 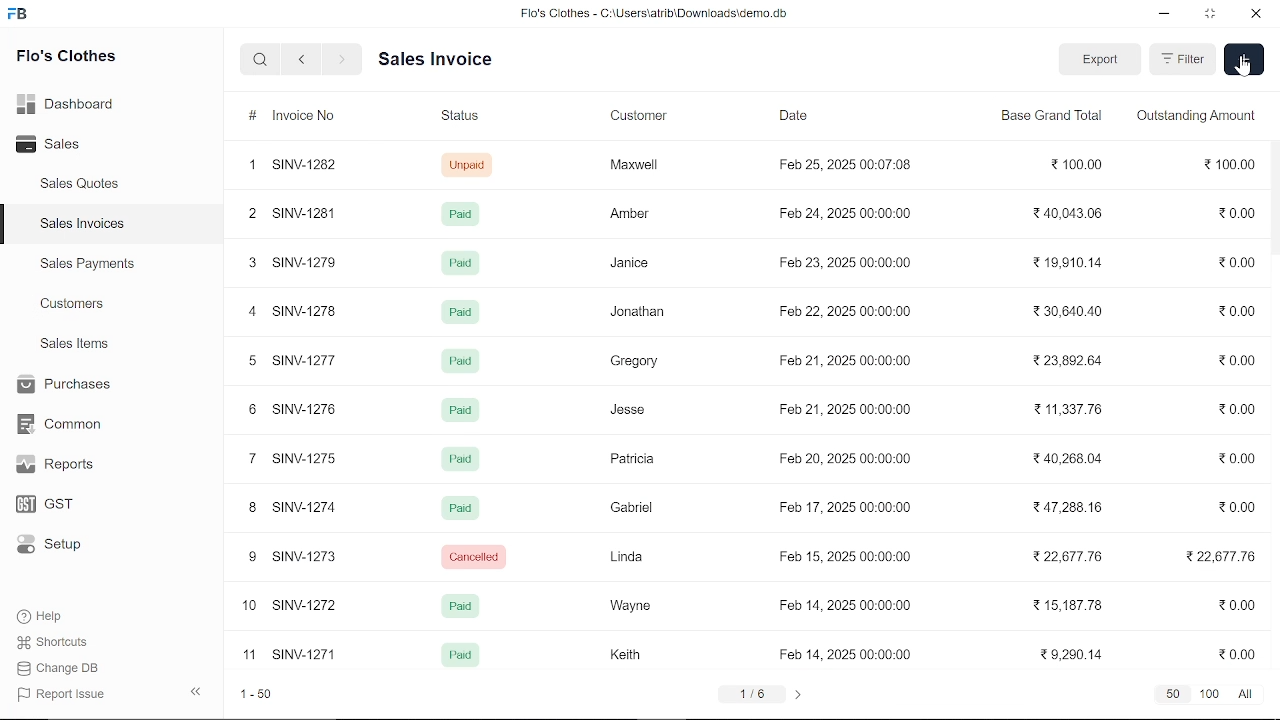 What do you see at coordinates (753, 408) in the screenshot?
I see `8 SINV-1276 Paid Jesse Feb 21, 2025 00:00:00 311,337.76  0.00` at bounding box center [753, 408].